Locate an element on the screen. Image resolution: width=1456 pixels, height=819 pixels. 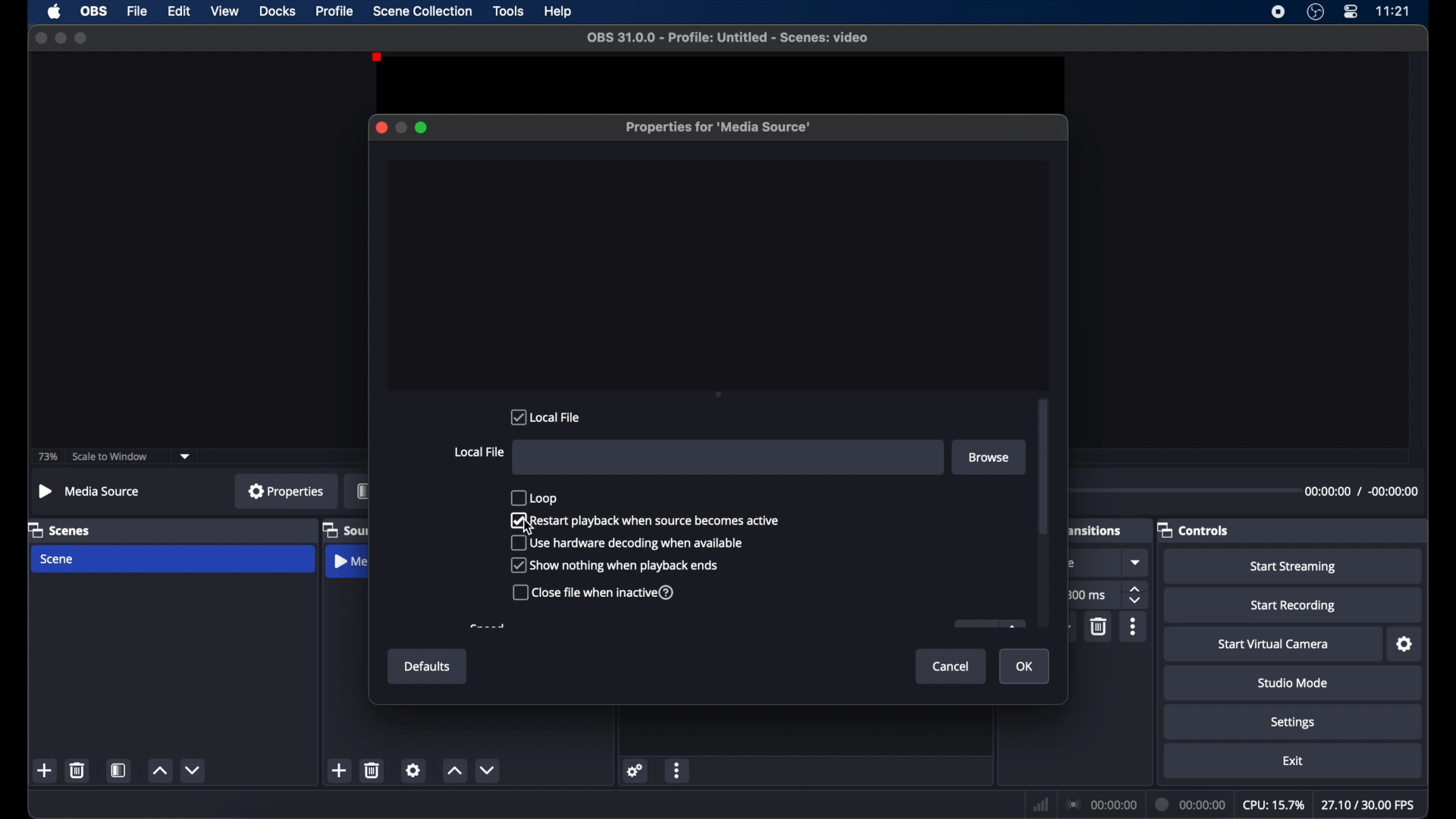
use hardware decoding when available is located at coordinates (626, 542).